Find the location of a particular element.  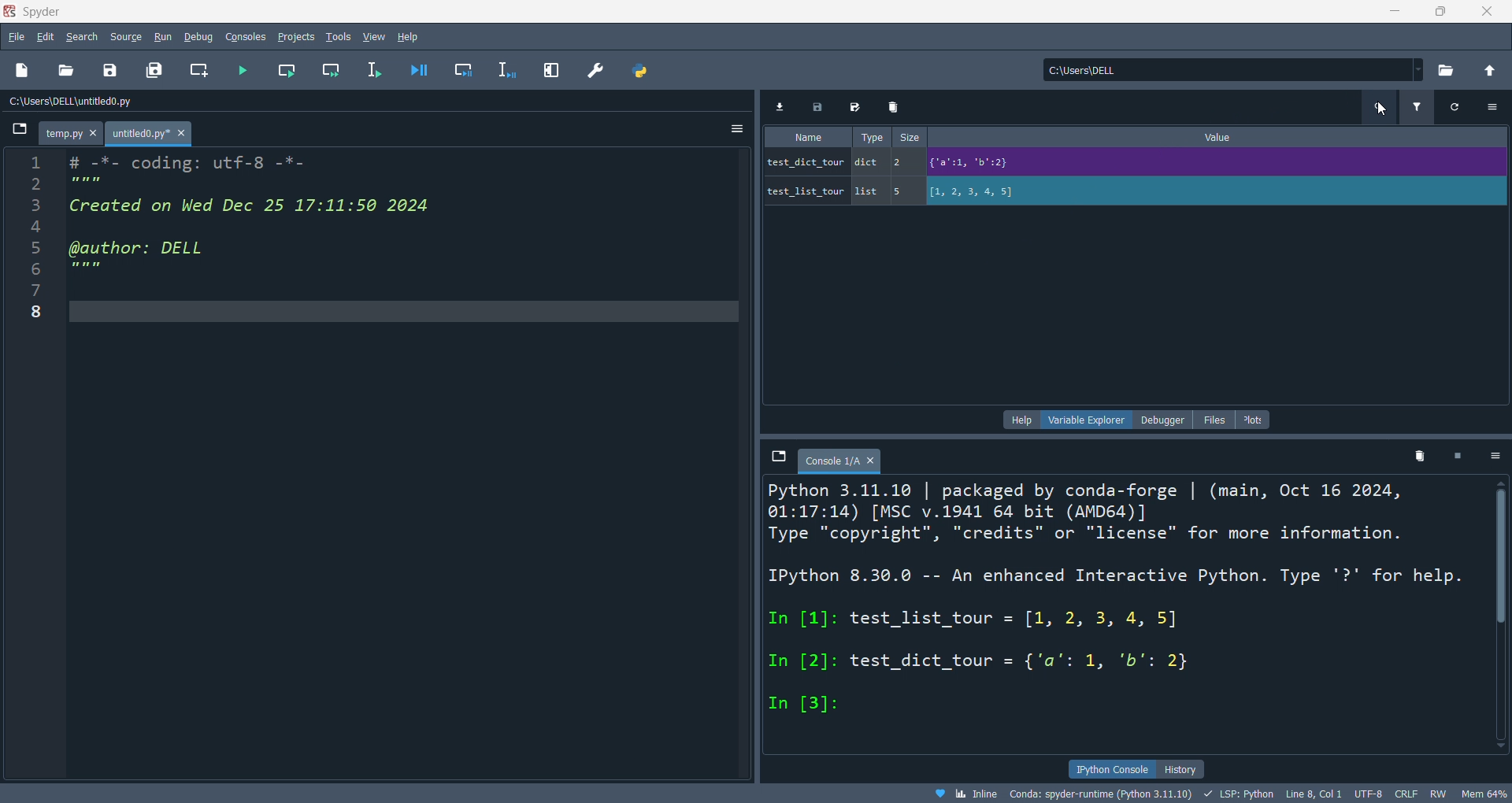

ipython console is located at coordinates (1112, 768).